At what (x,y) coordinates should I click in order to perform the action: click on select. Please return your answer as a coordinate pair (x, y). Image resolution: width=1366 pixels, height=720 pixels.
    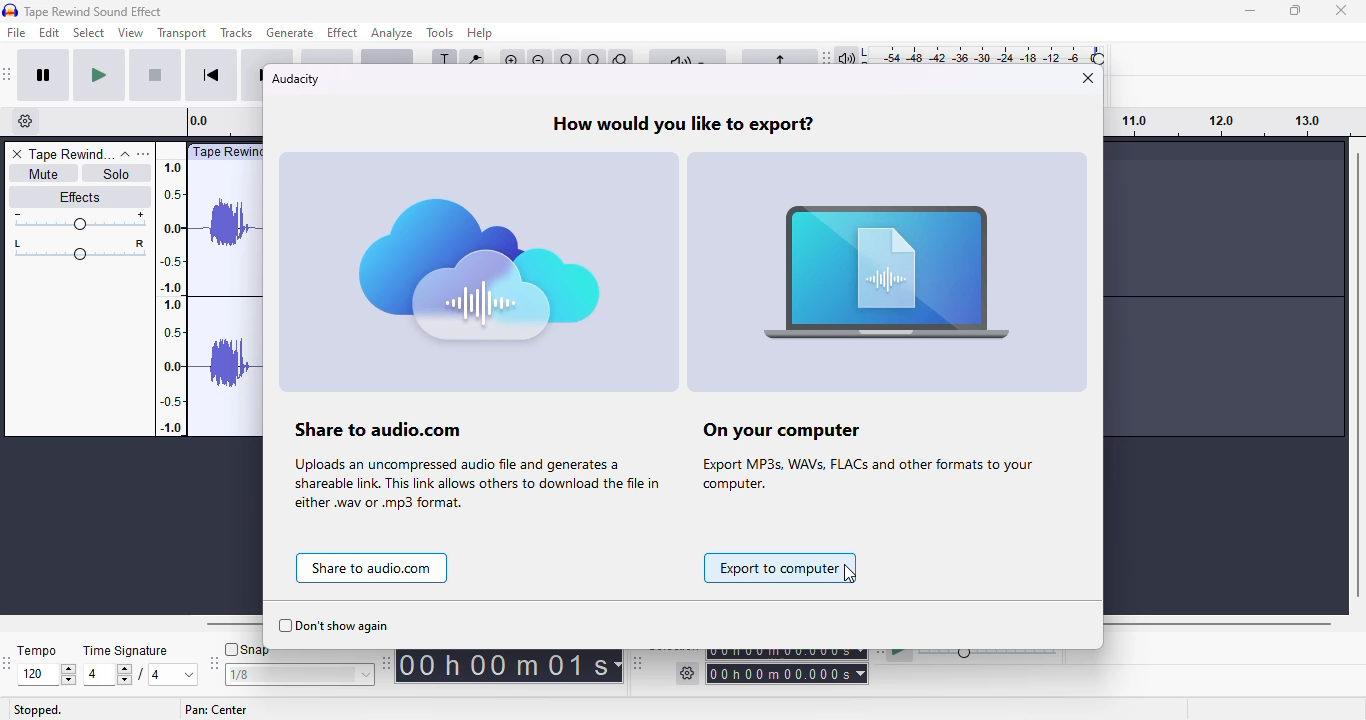
    Looking at the image, I should click on (90, 32).